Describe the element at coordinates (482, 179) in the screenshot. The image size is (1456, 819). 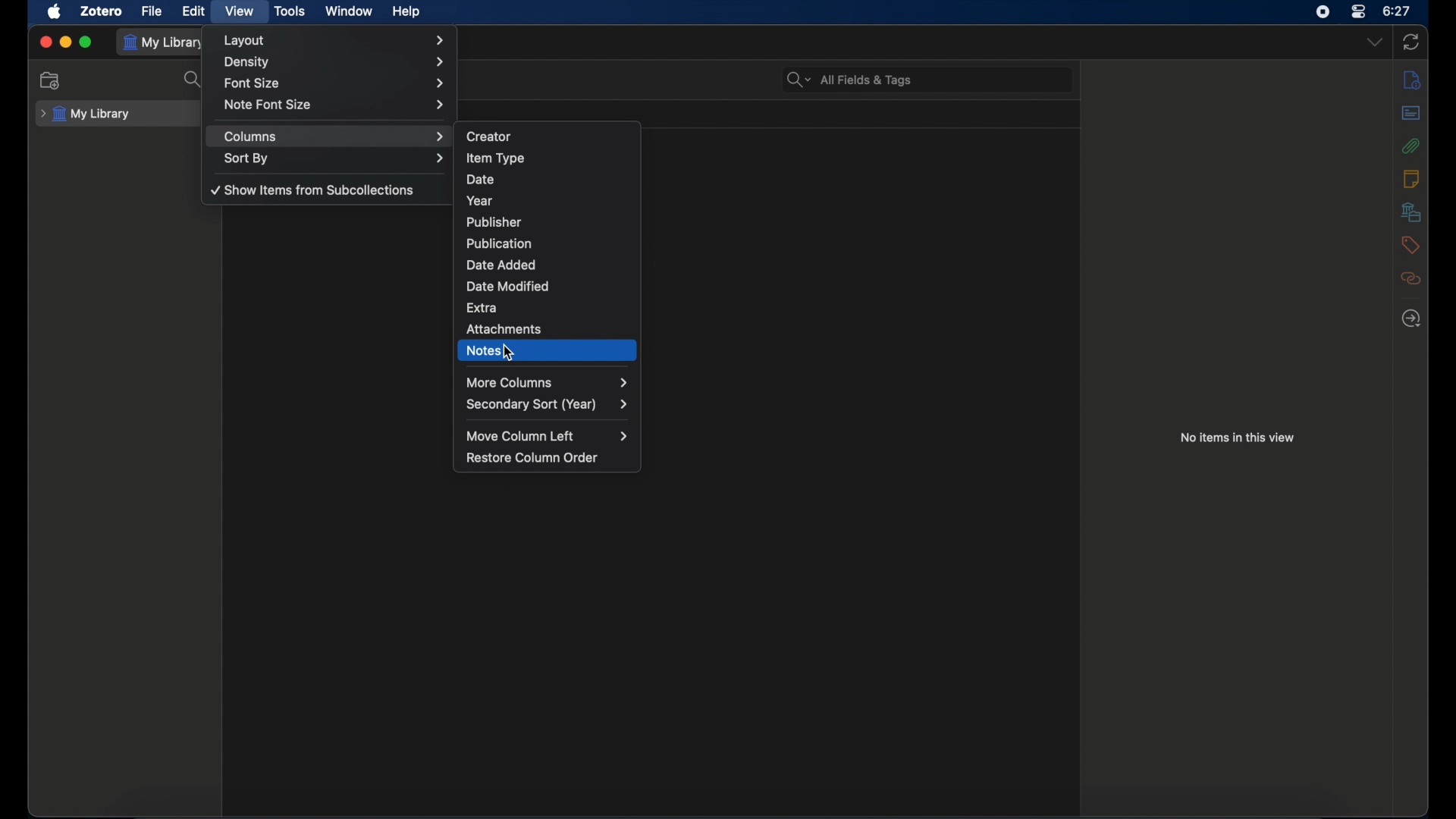
I see `date` at that location.